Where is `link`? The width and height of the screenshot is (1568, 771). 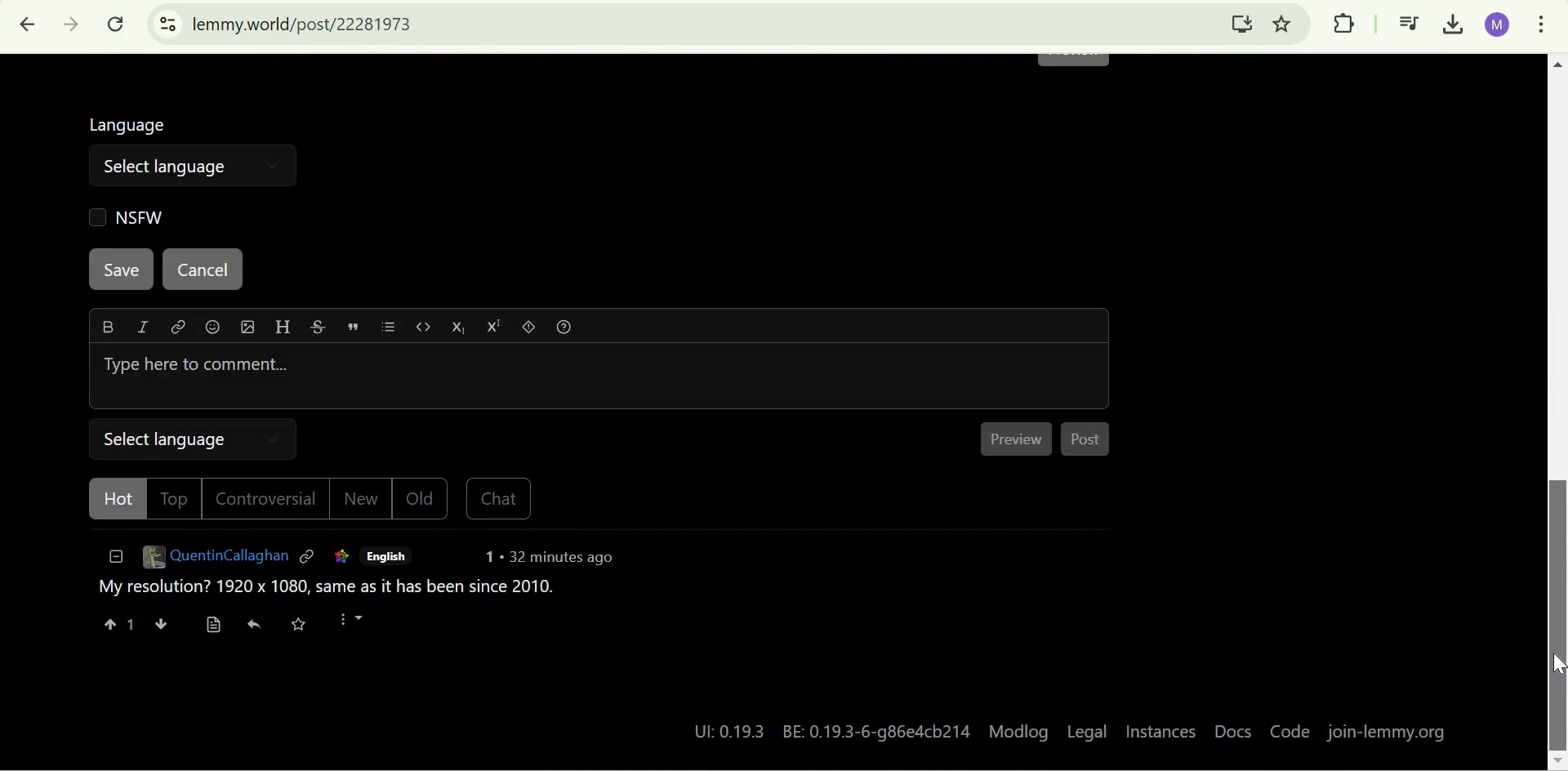
link is located at coordinates (309, 559).